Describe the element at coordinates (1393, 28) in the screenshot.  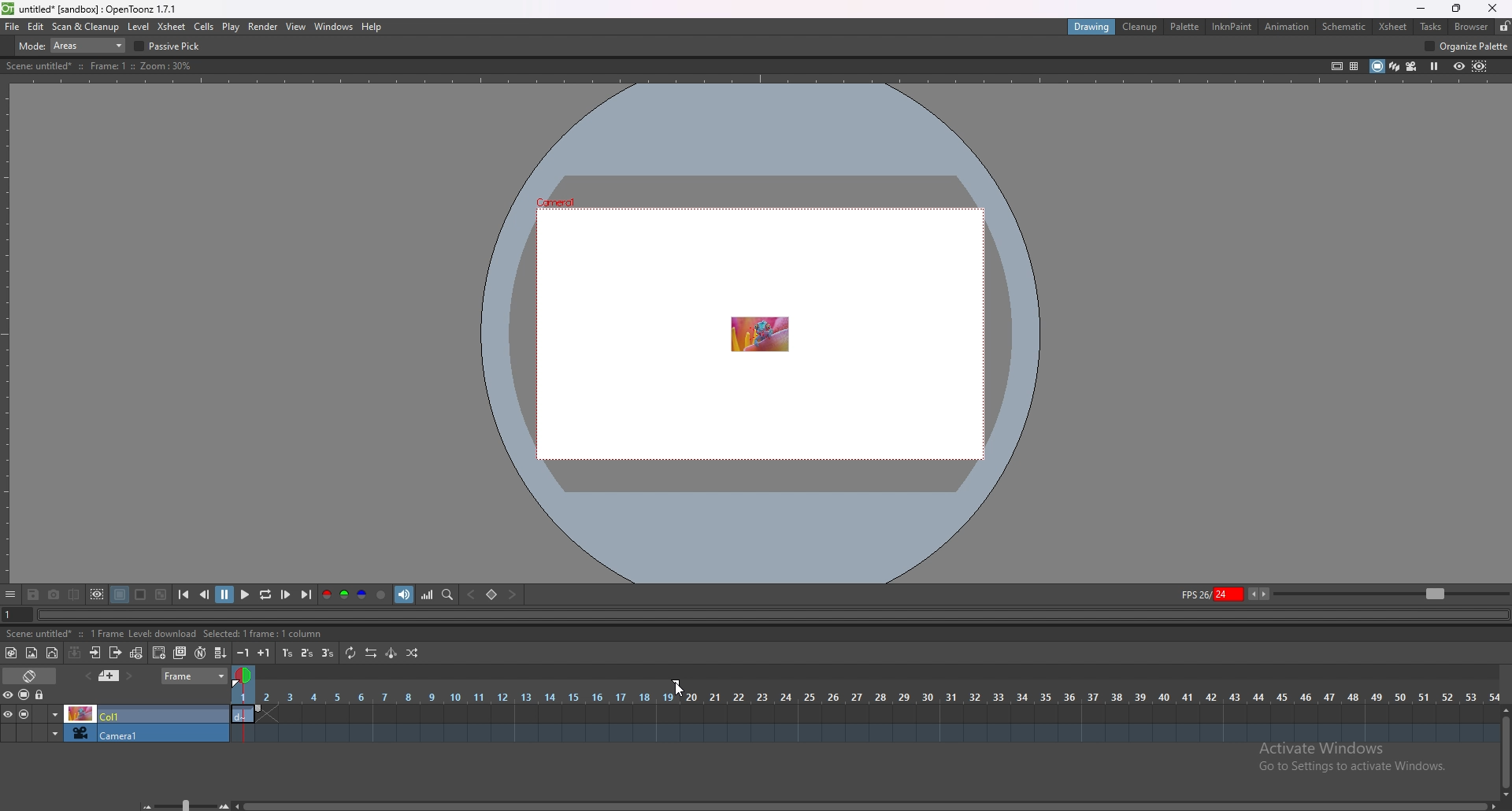
I see `xsheet` at that location.